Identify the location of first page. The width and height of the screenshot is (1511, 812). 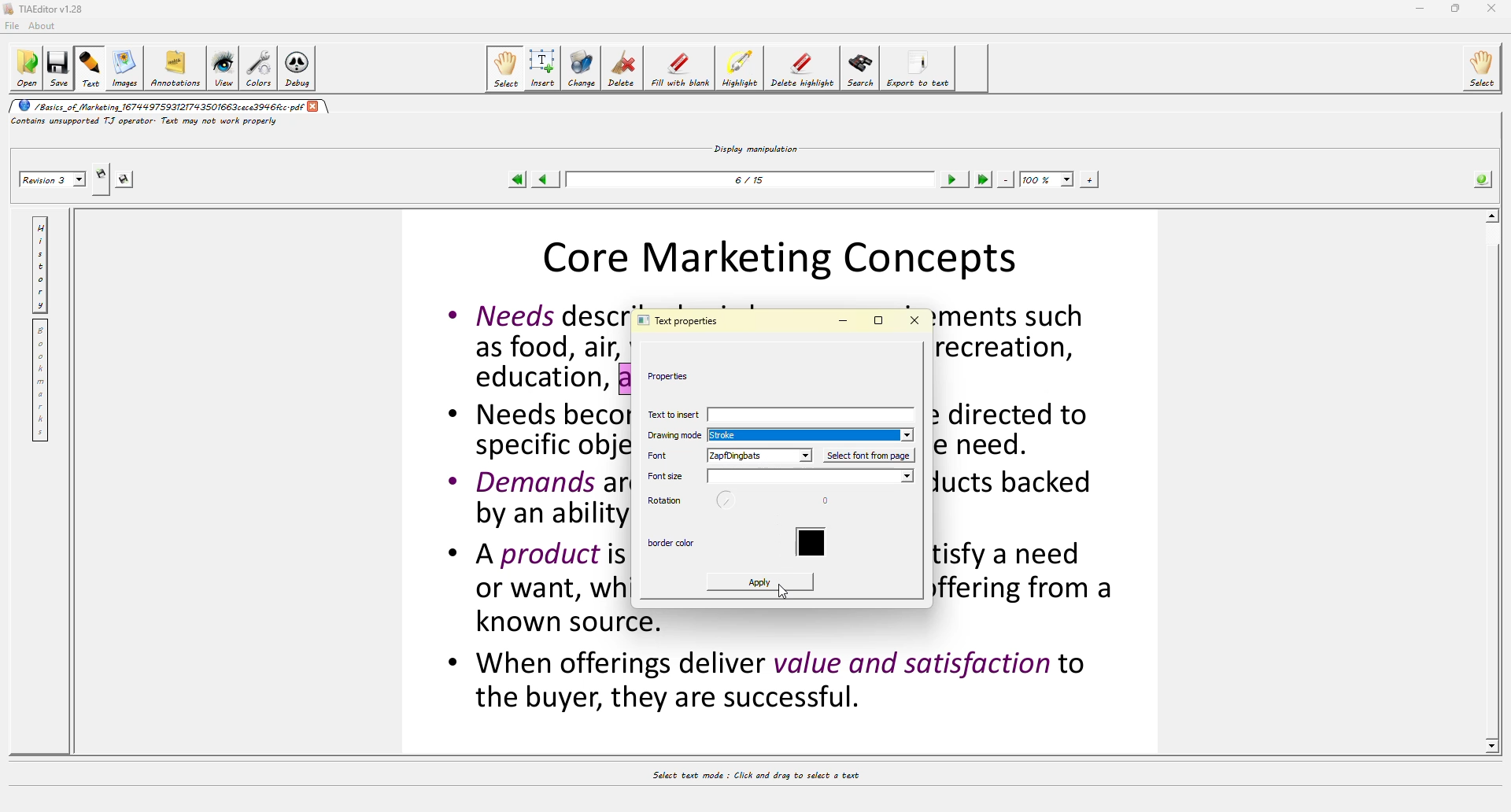
(517, 180).